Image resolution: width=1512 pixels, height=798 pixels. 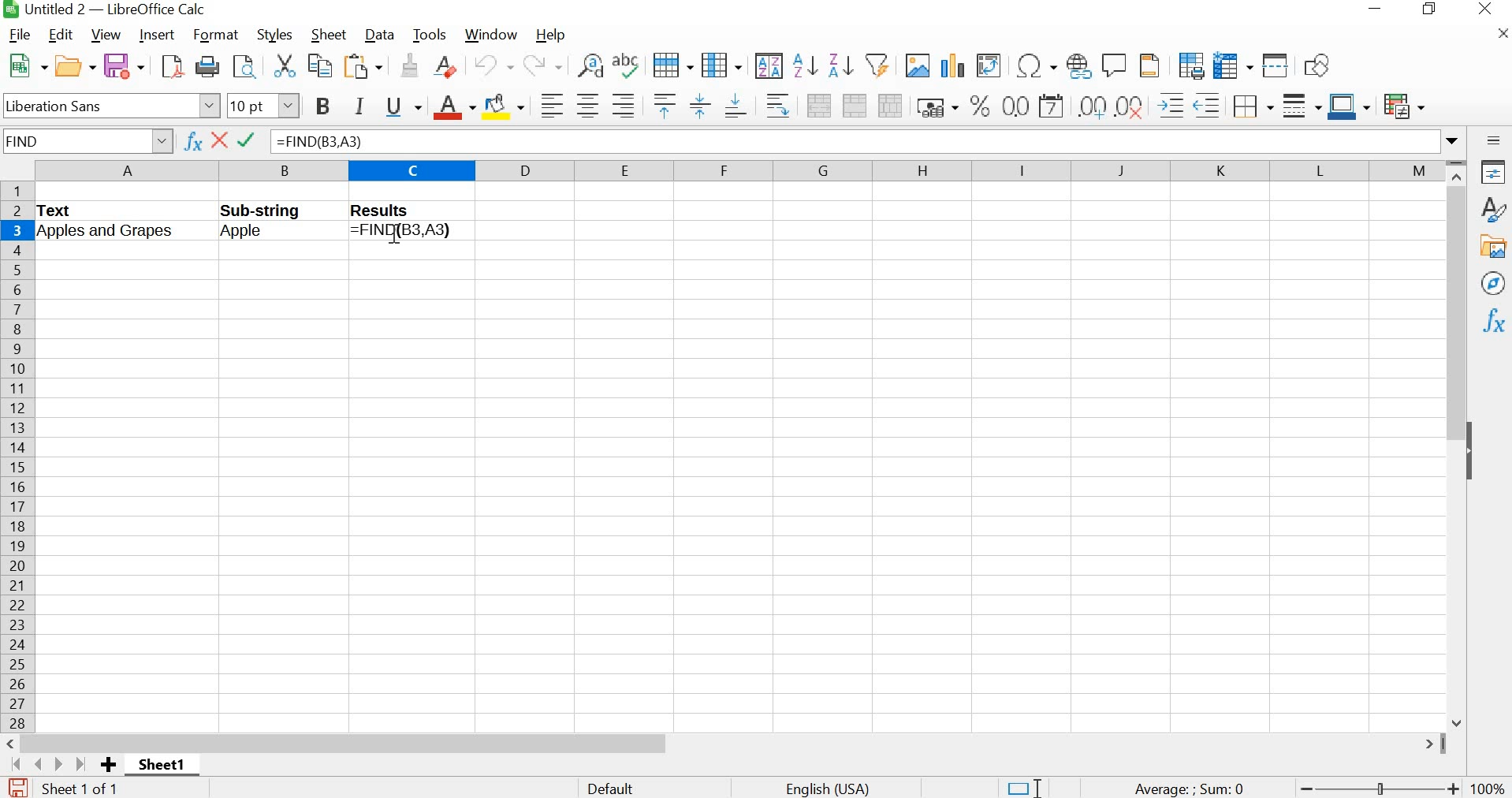 I want to click on sort descending, so click(x=840, y=65).